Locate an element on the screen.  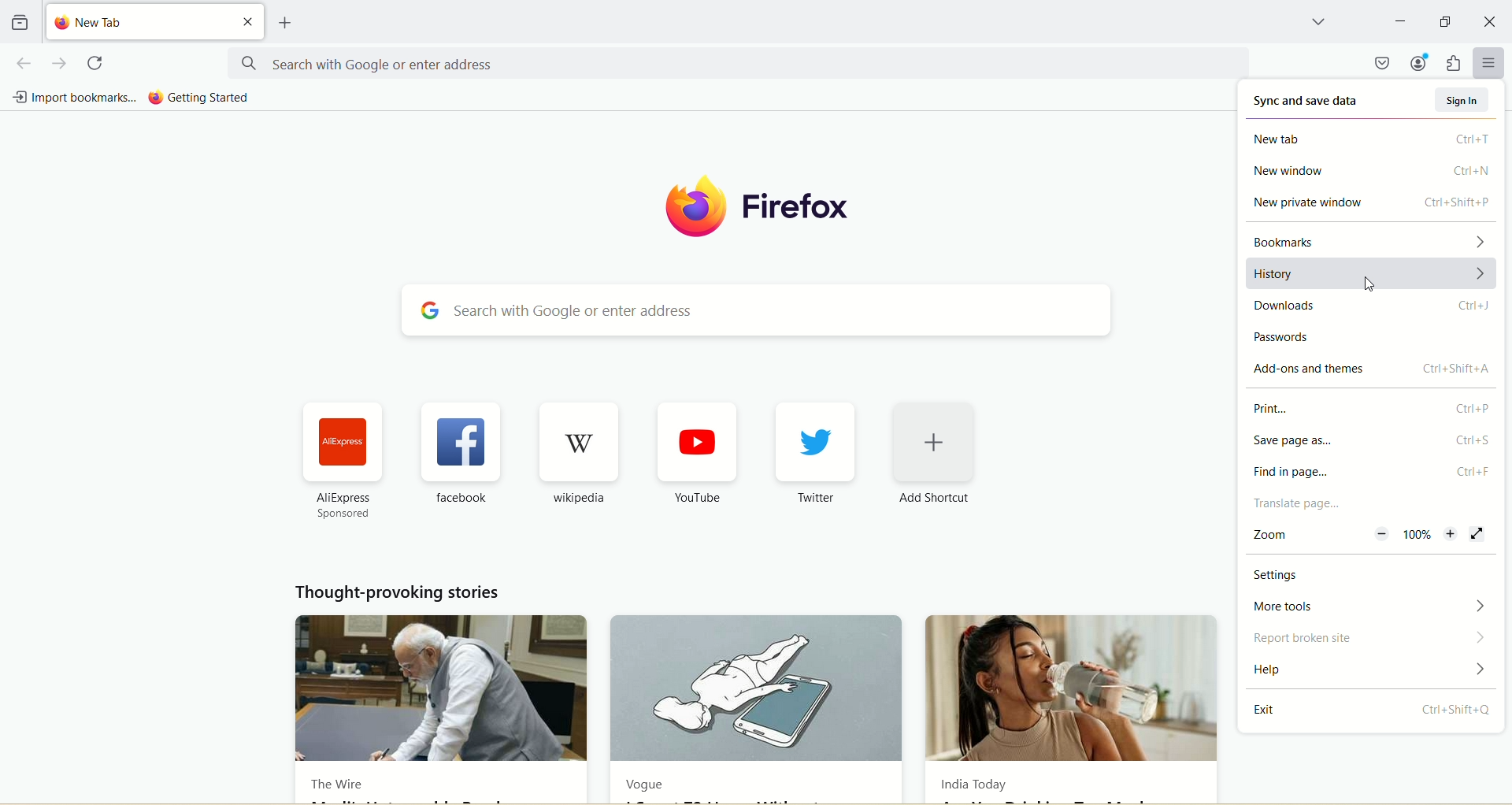
cursor is located at coordinates (1371, 285).